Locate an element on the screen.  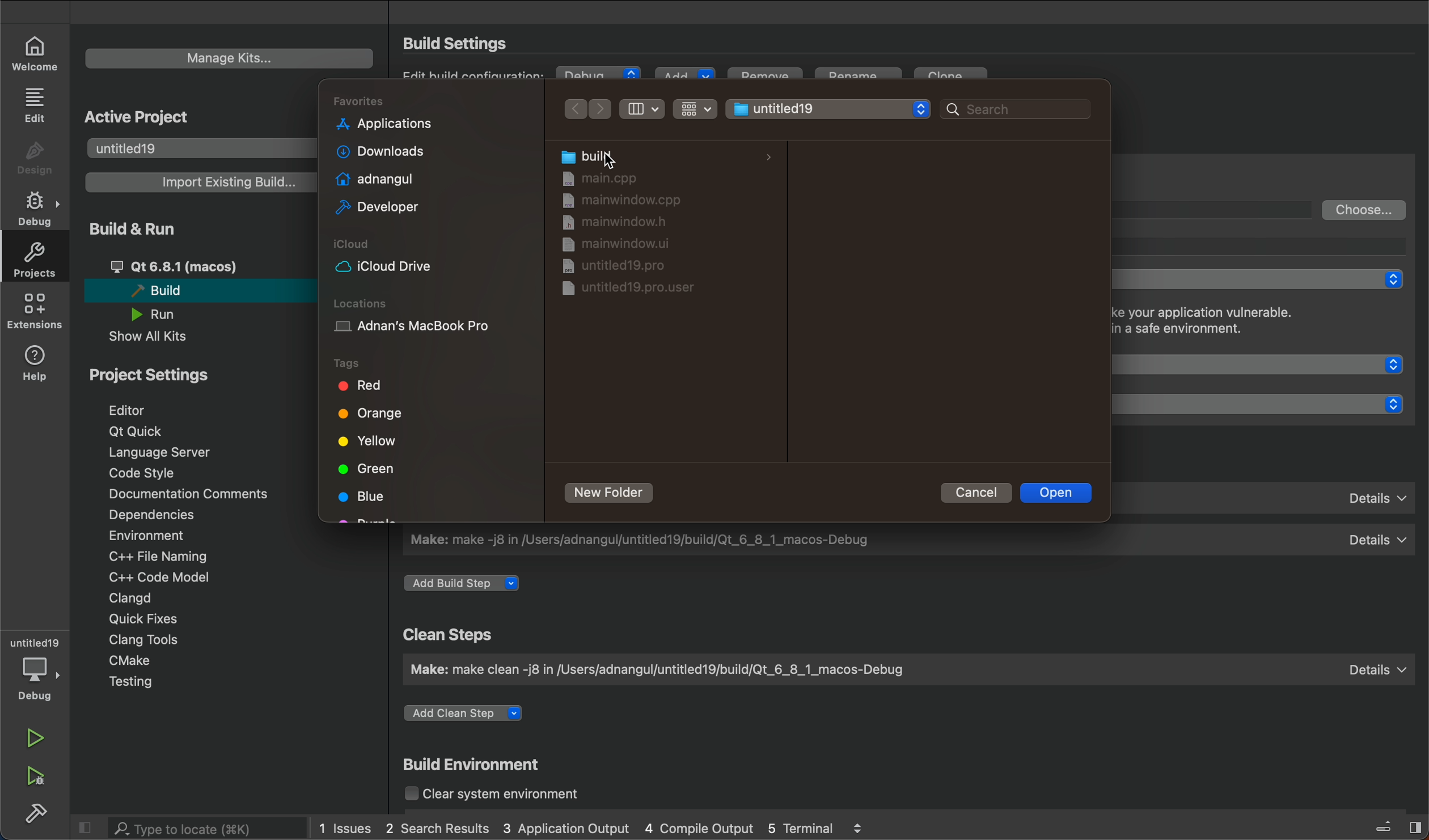
projects is located at coordinates (32, 260).